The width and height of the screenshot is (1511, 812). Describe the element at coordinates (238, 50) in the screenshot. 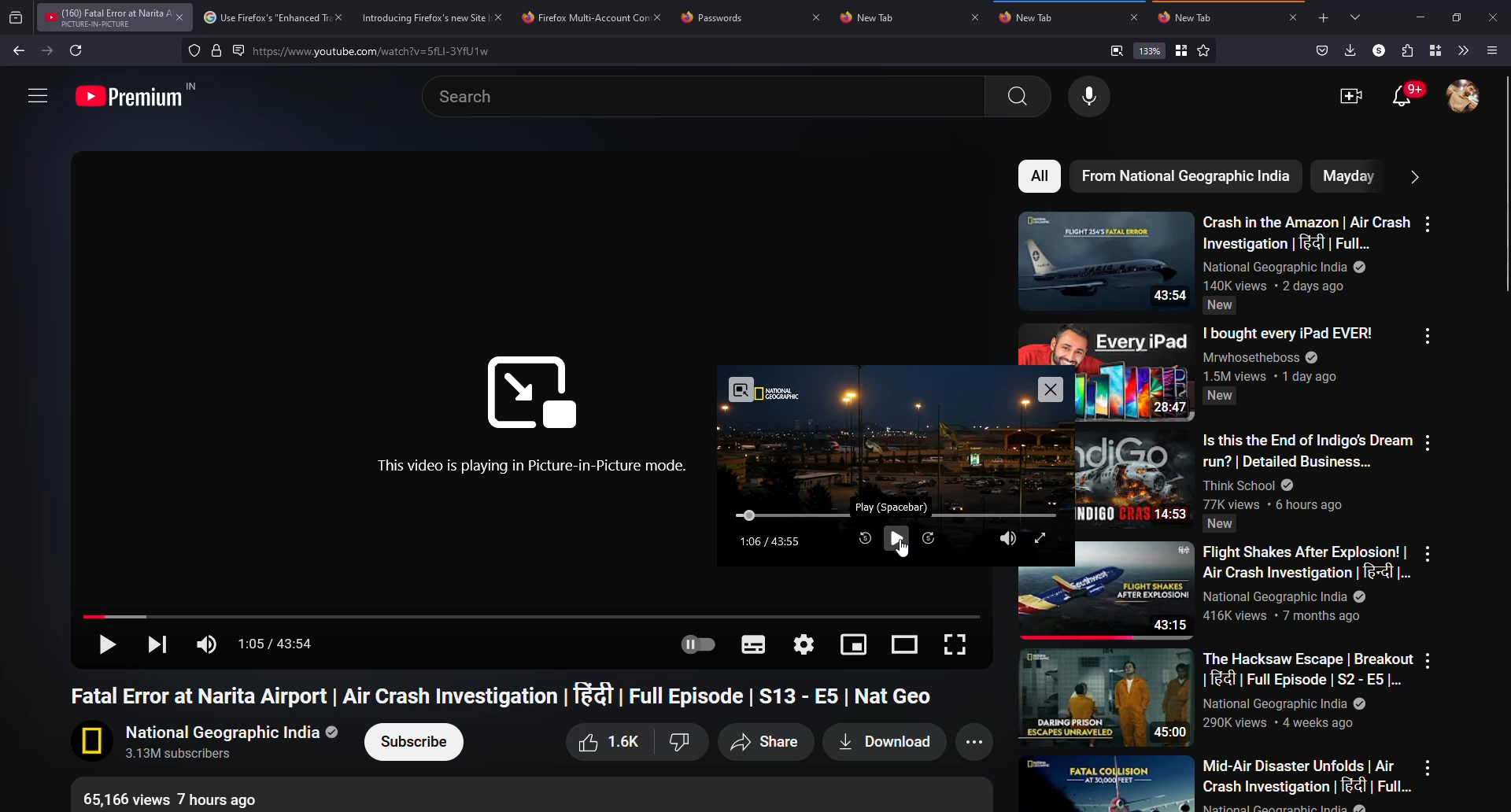

I see `read` at that location.